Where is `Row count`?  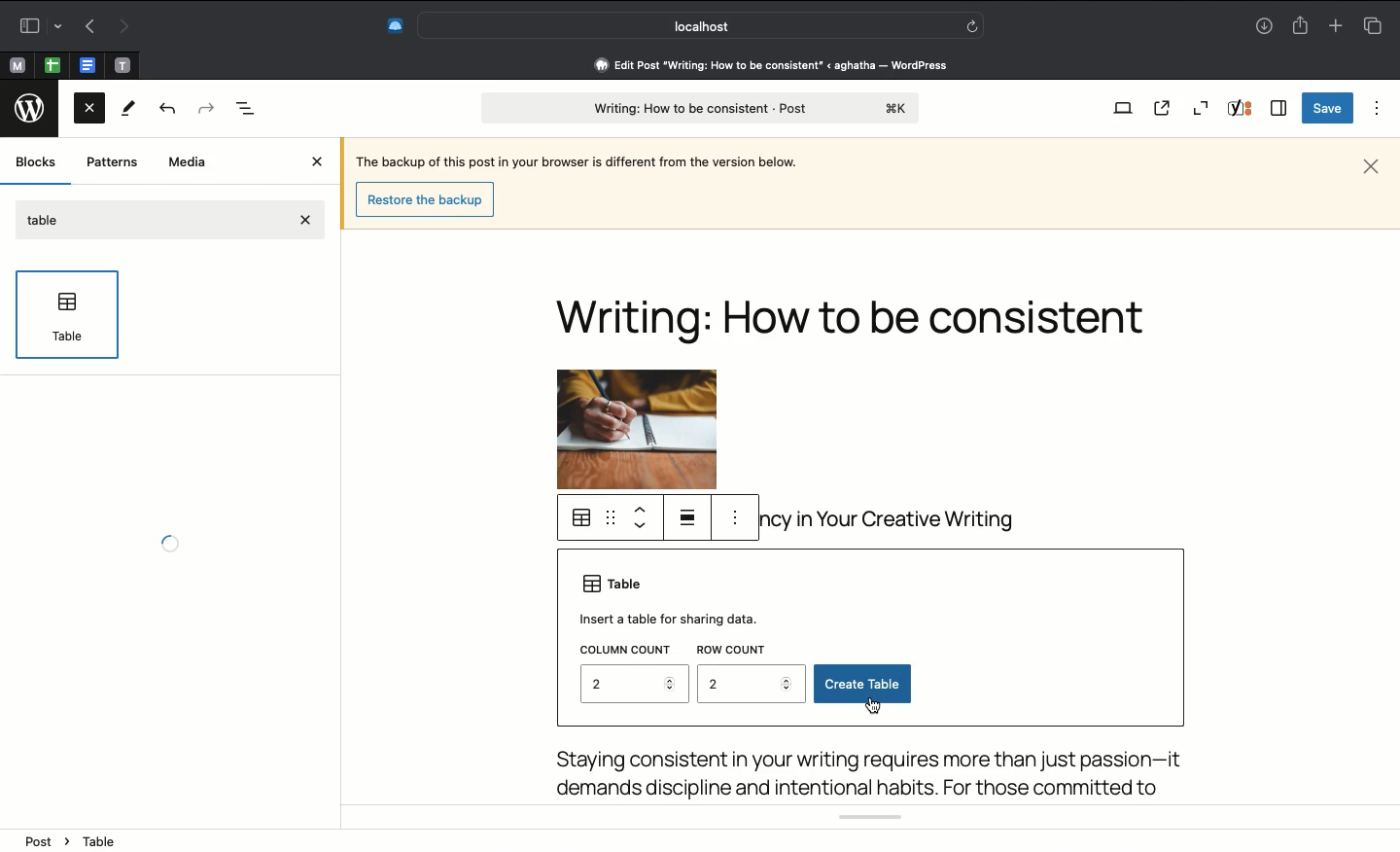 Row count is located at coordinates (743, 649).